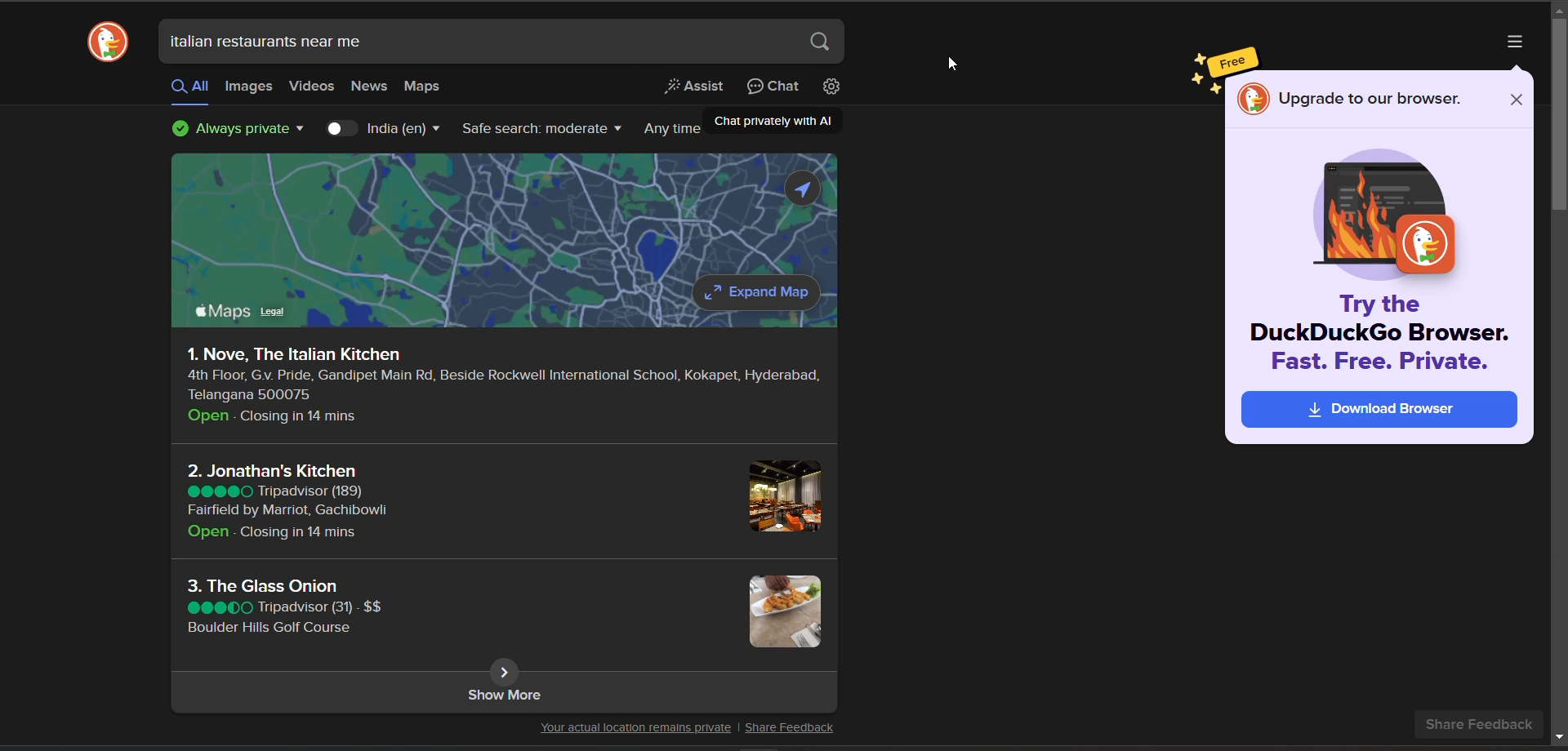 The image size is (1568, 751). Describe the element at coordinates (238, 128) in the screenshot. I see `privacy options` at that location.